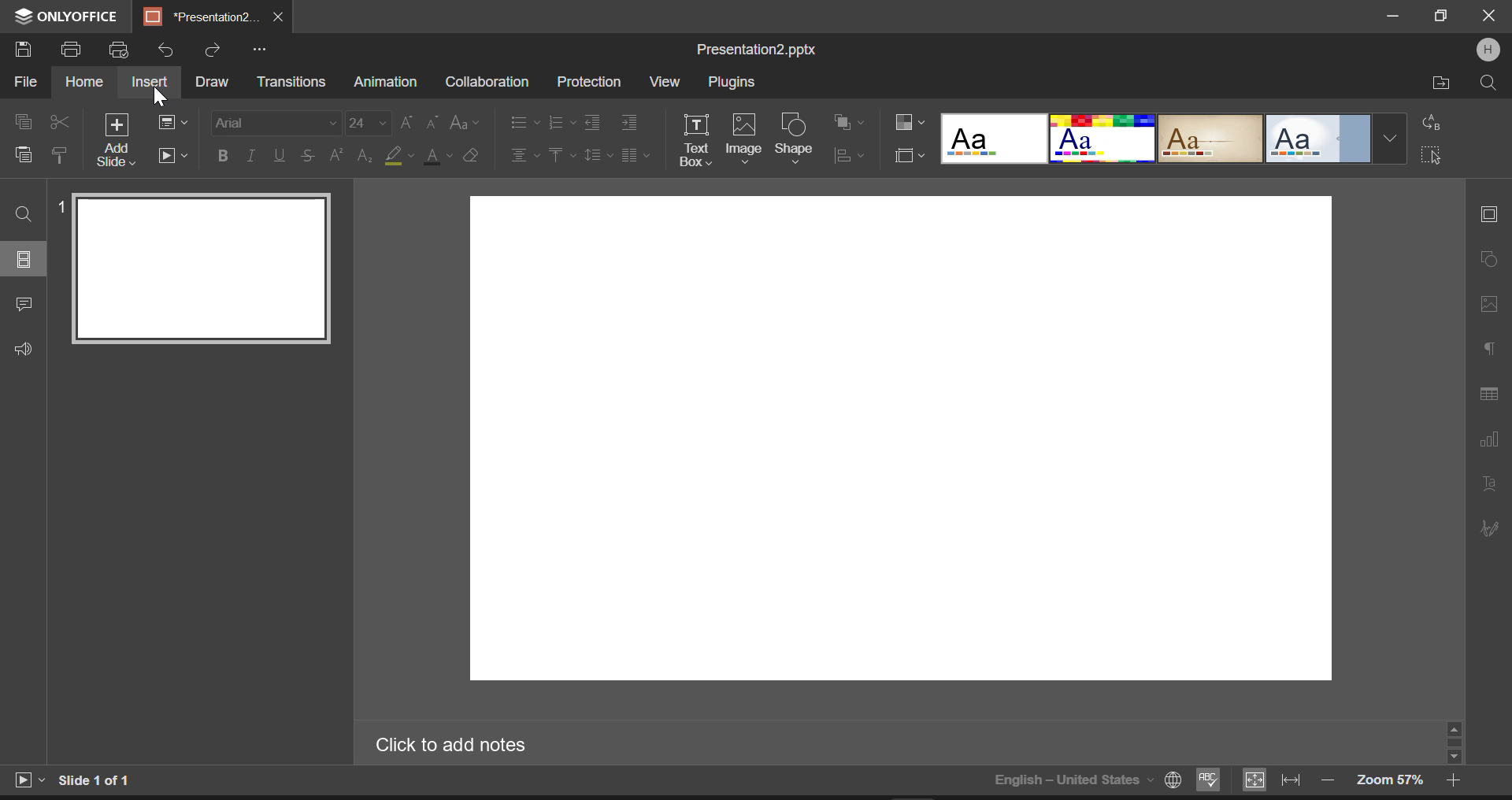 The width and height of the screenshot is (1512, 800). Describe the element at coordinates (695, 139) in the screenshot. I see `Text Box` at that location.